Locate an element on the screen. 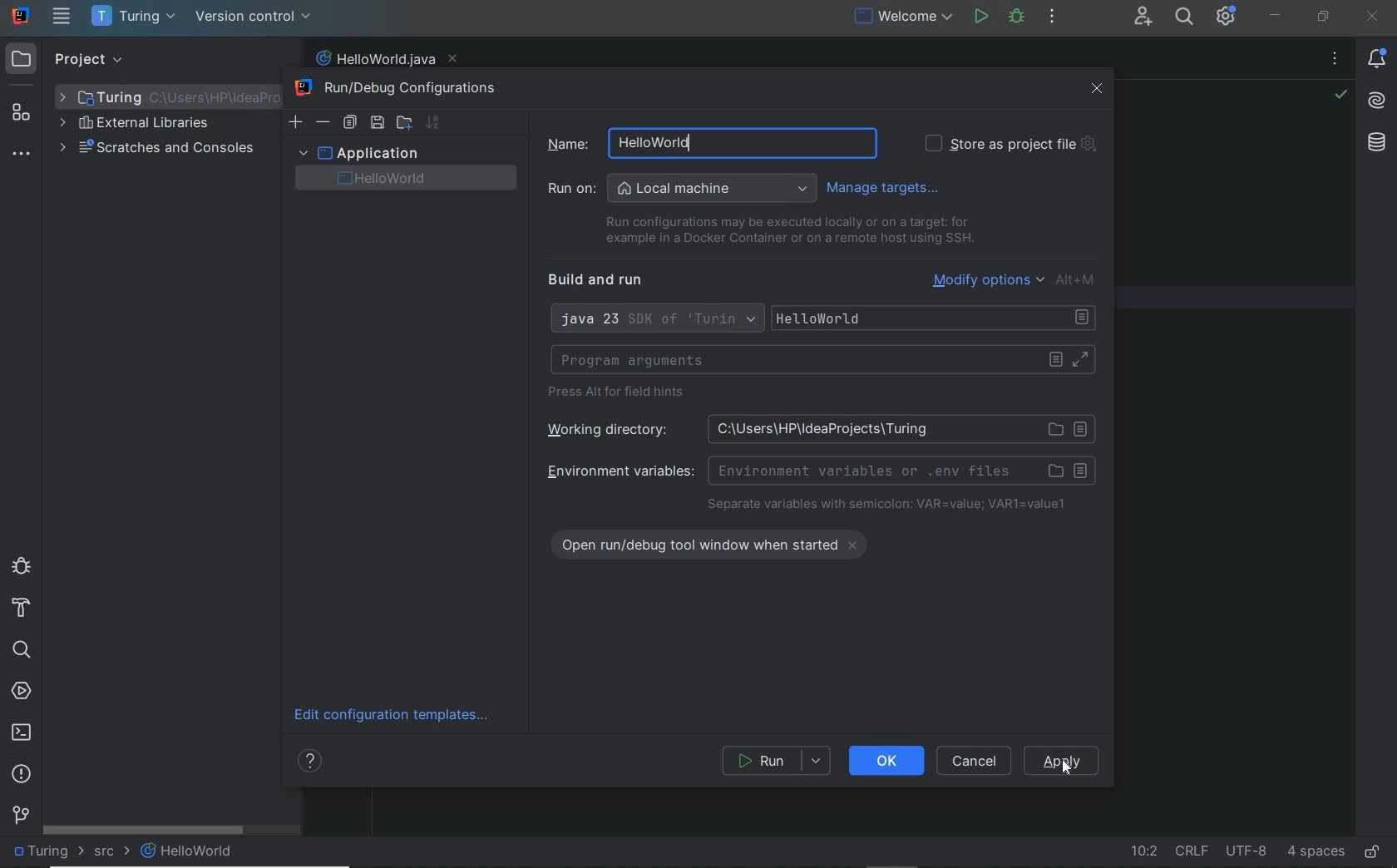 The image size is (1397, 868). MINIMIZE is located at coordinates (1275, 16).